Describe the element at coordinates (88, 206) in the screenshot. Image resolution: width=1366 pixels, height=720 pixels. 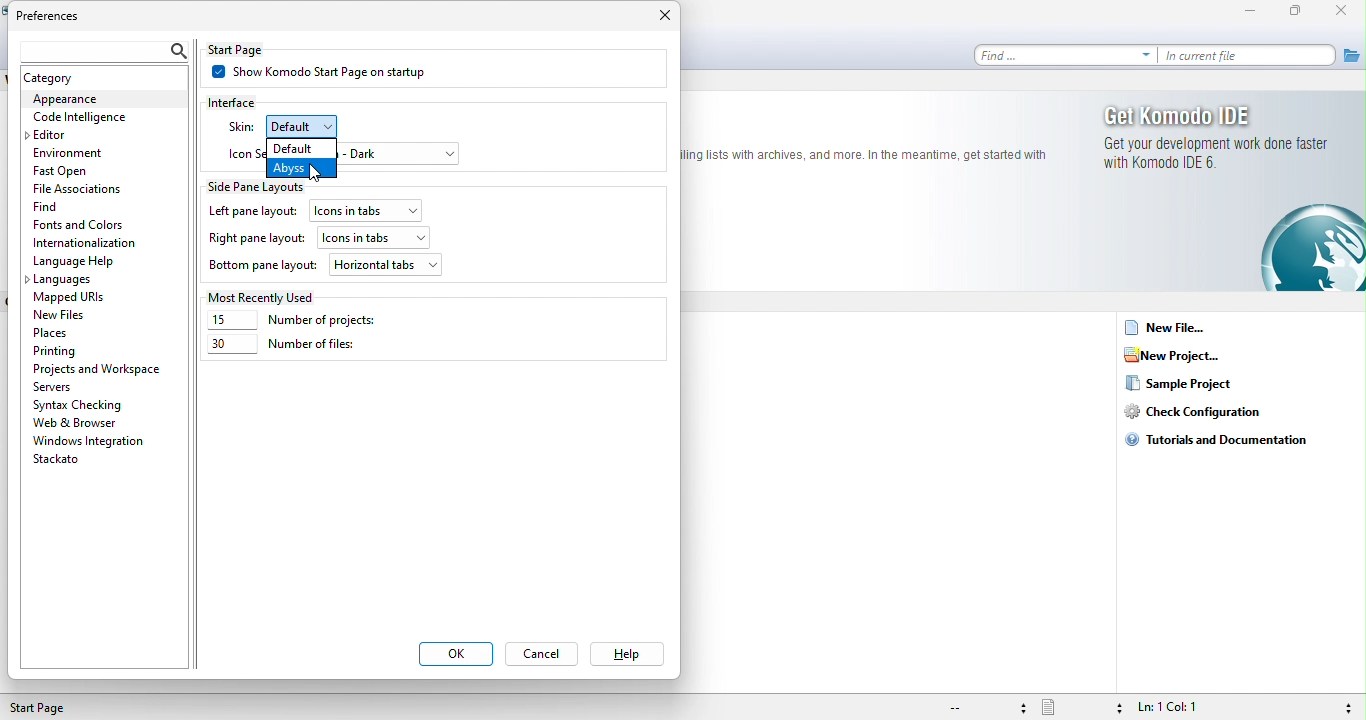
I see `find` at that location.